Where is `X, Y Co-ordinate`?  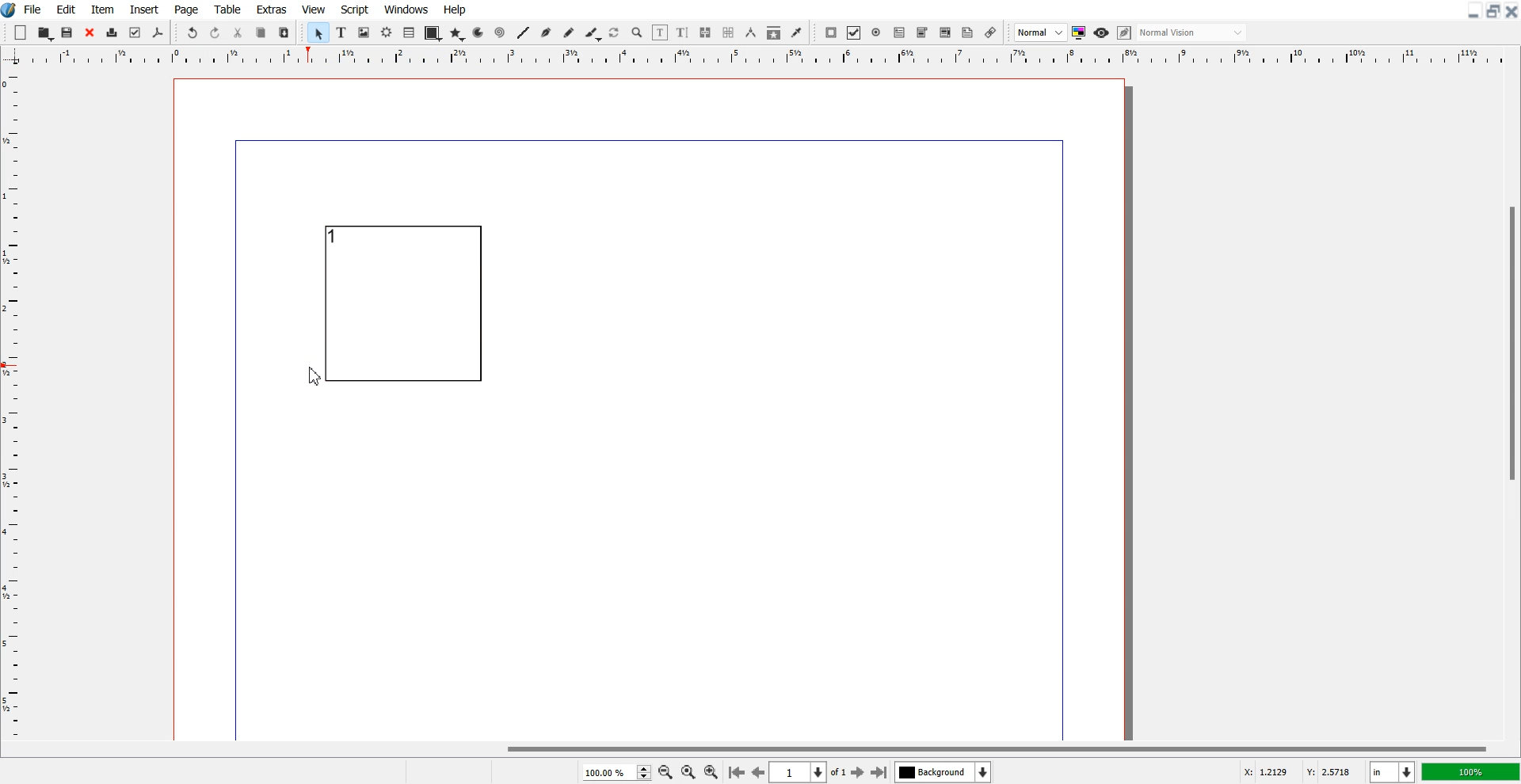 X, Y Co-ordinate is located at coordinates (1298, 773).